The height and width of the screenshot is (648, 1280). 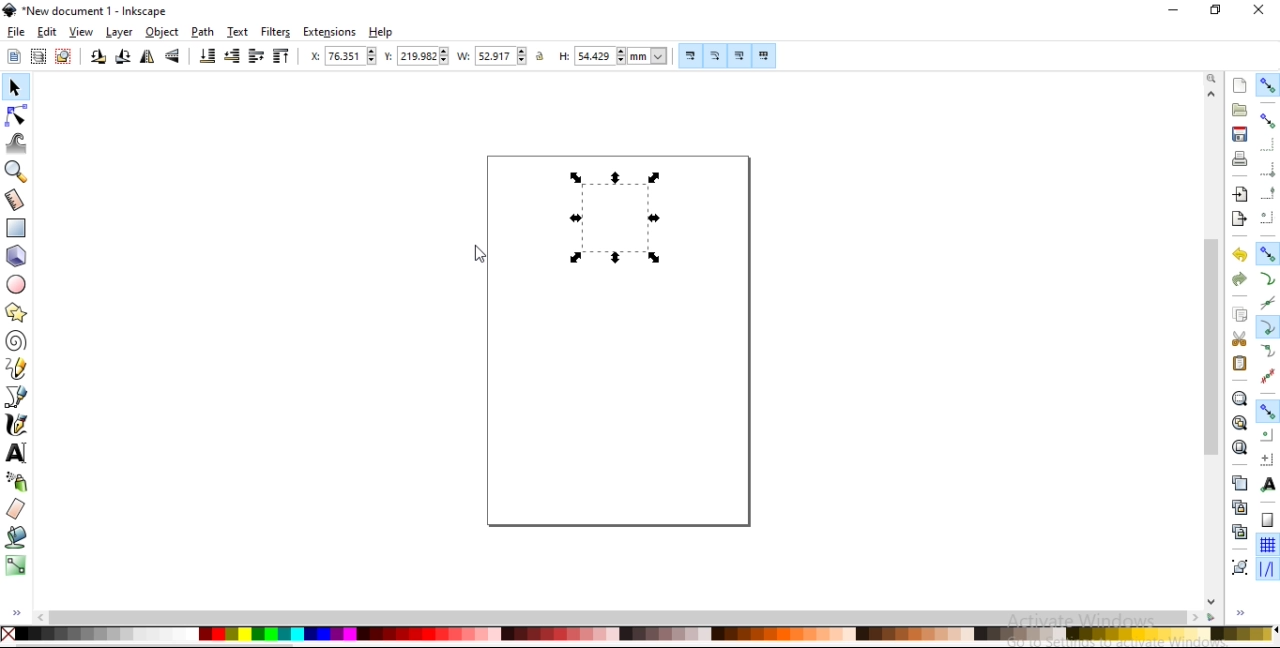 What do you see at coordinates (162, 32) in the screenshot?
I see `object` at bounding box center [162, 32].